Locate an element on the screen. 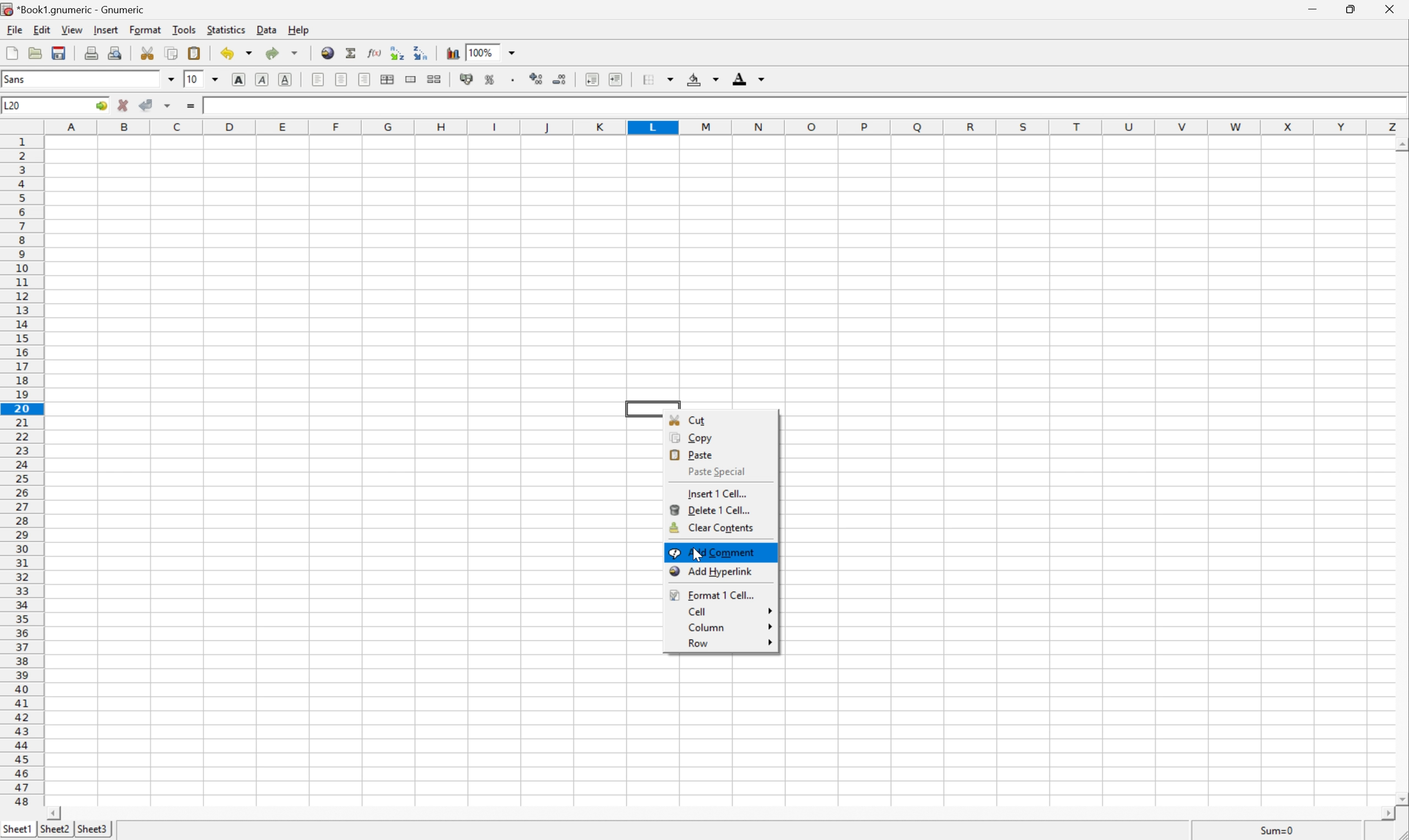 Image resolution: width=1409 pixels, height=840 pixels. Row numbers is located at coordinates (21, 471).